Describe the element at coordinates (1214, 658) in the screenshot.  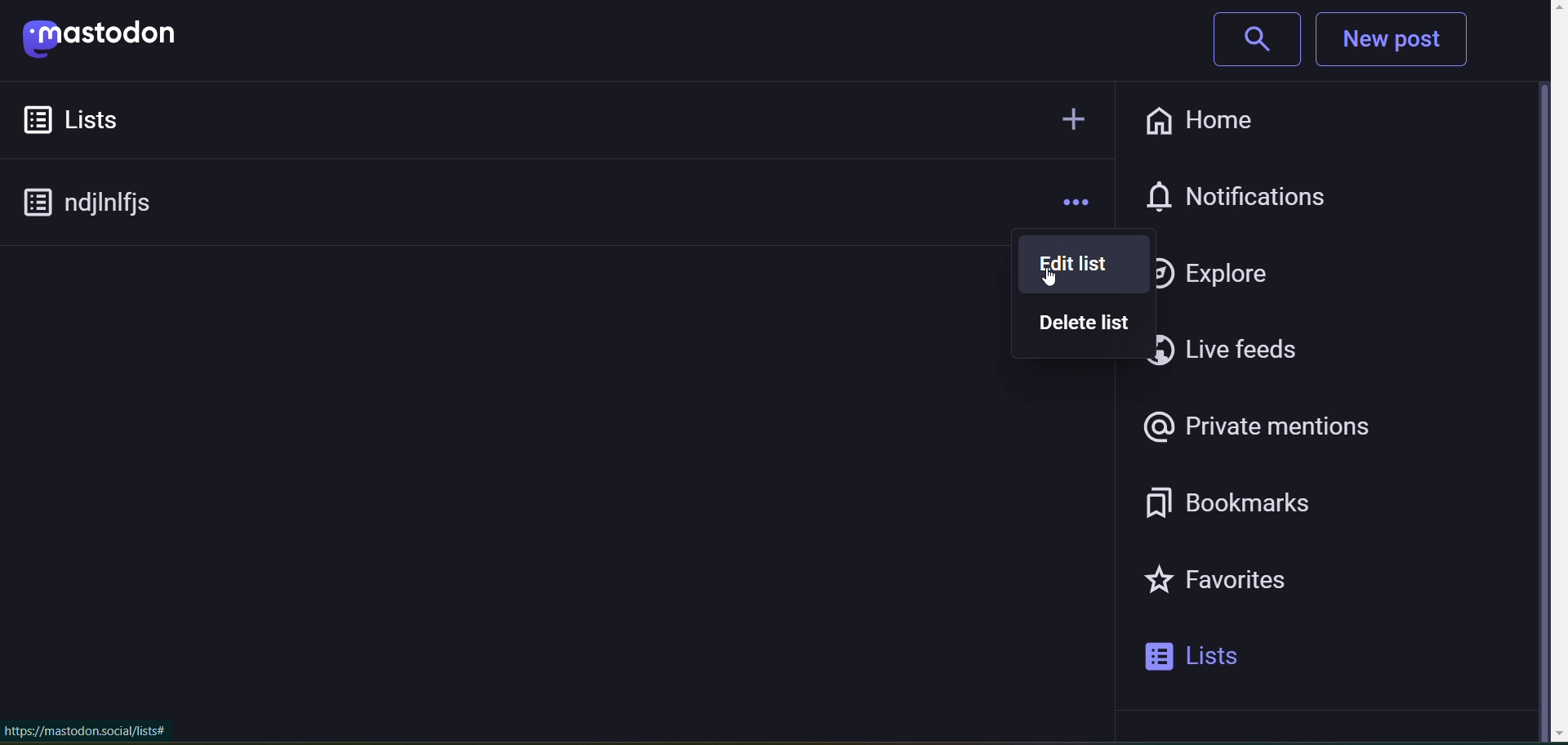
I see `lists` at that location.